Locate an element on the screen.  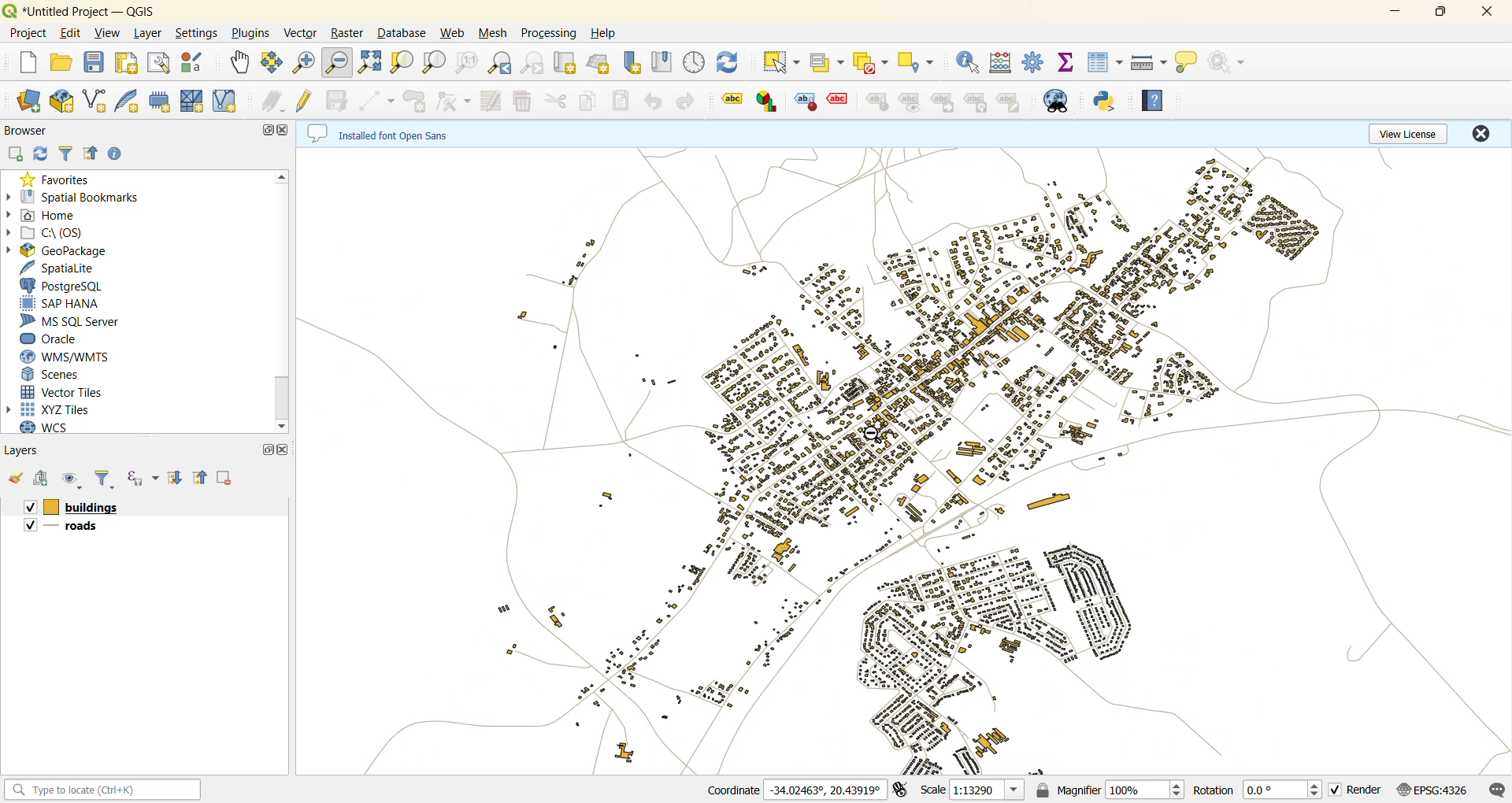
edit is located at coordinates (70, 32).